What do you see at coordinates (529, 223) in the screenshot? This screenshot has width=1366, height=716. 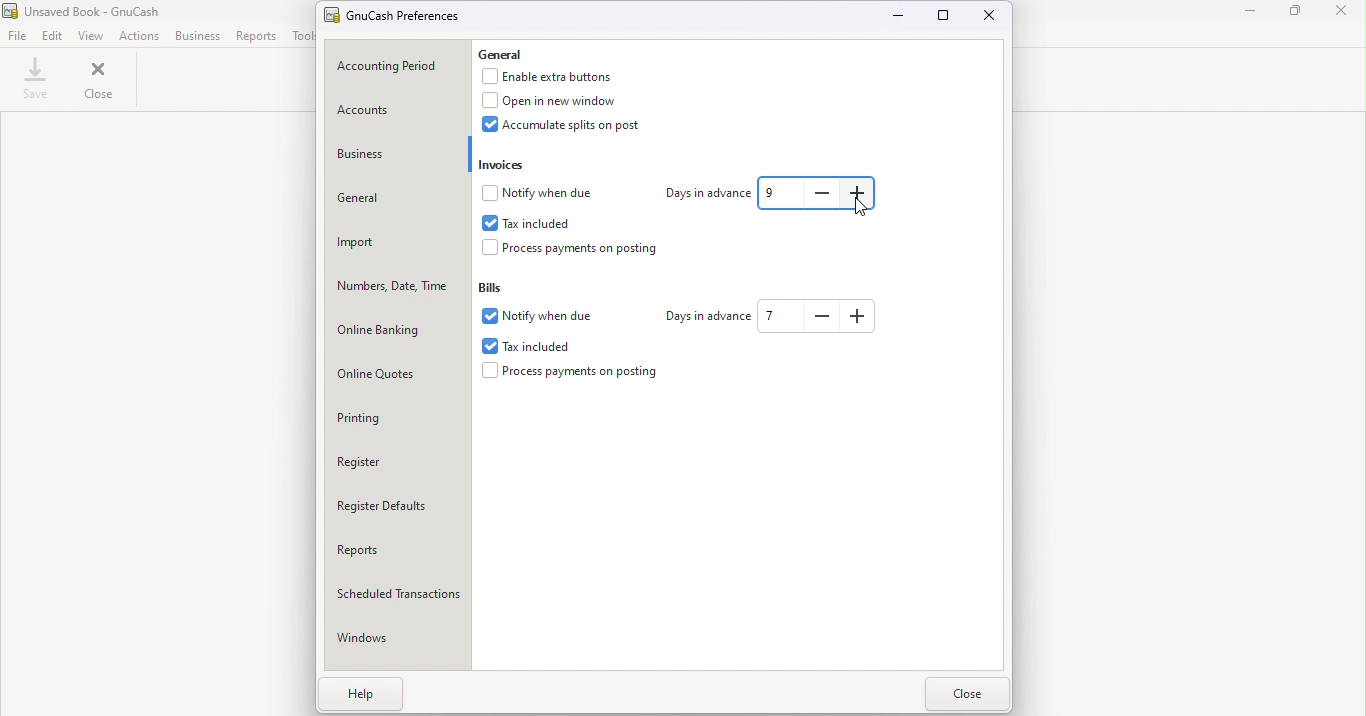 I see `Tax included` at bounding box center [529, 223].